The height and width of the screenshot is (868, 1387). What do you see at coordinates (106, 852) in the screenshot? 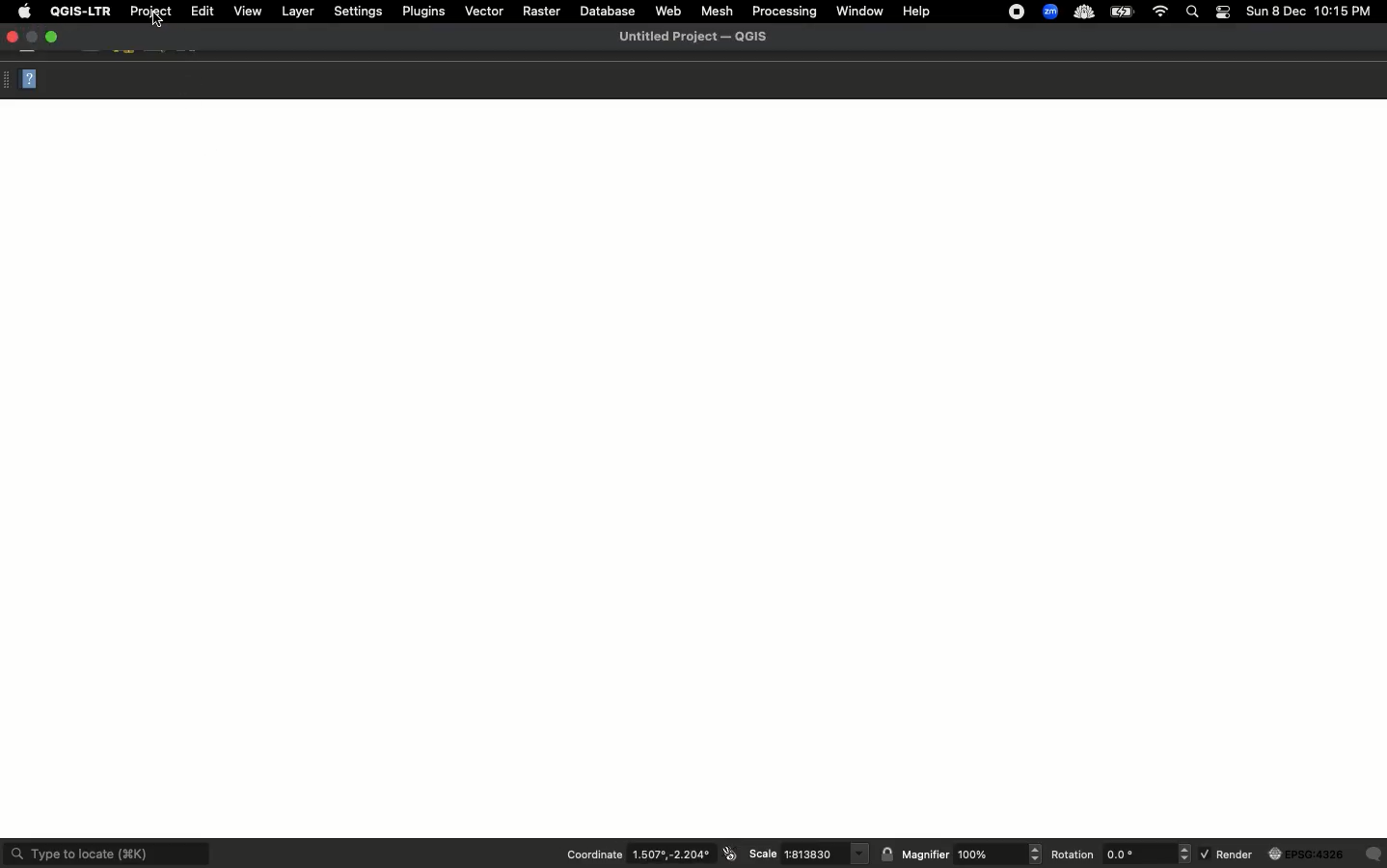
I see `Type to locate` at bounding box center [106, 852].